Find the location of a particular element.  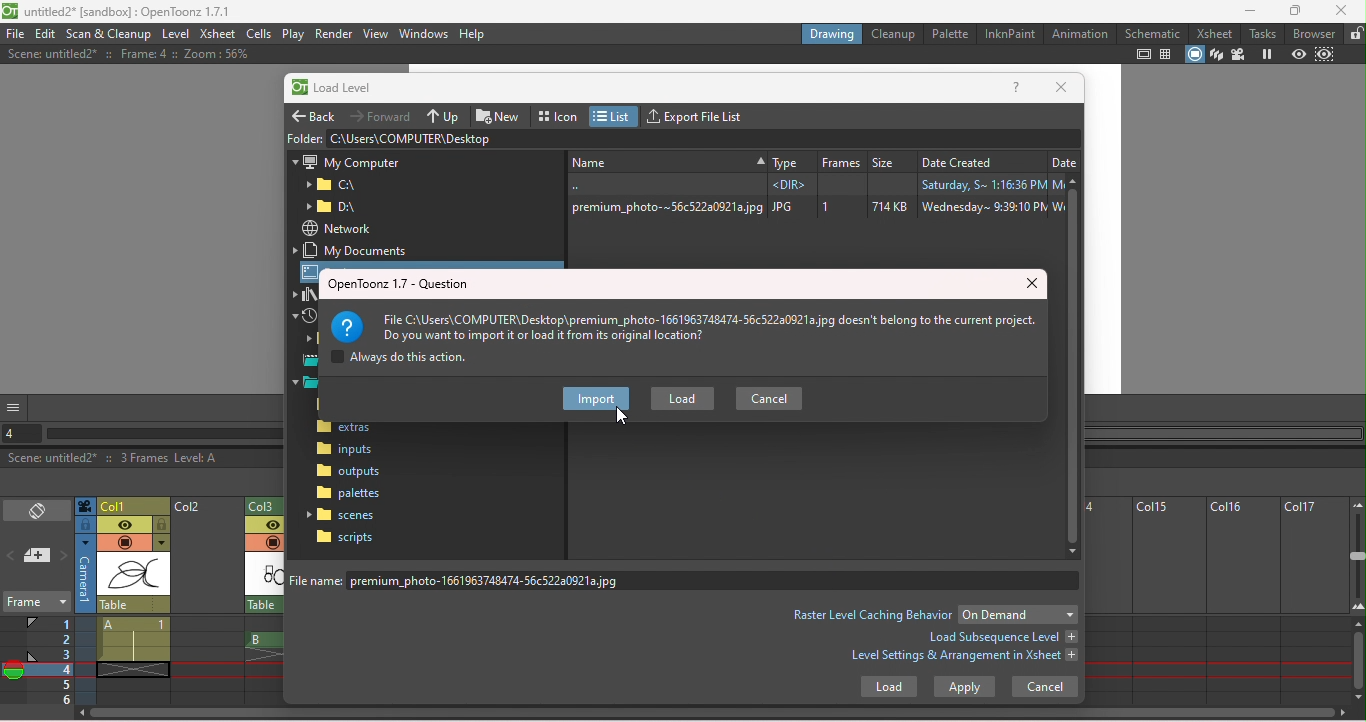

Outputs is located at coordinates (348, 471).